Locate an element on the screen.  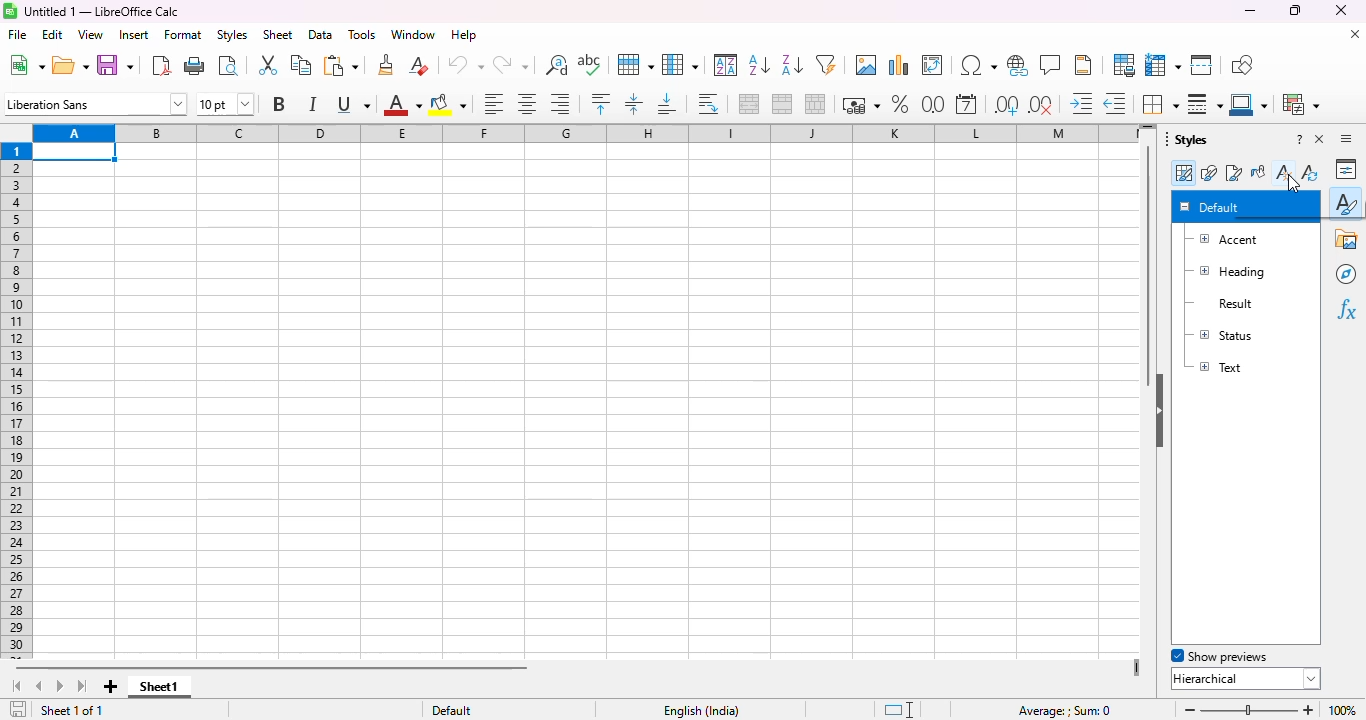
formula is located at coordinates (1065, 711).